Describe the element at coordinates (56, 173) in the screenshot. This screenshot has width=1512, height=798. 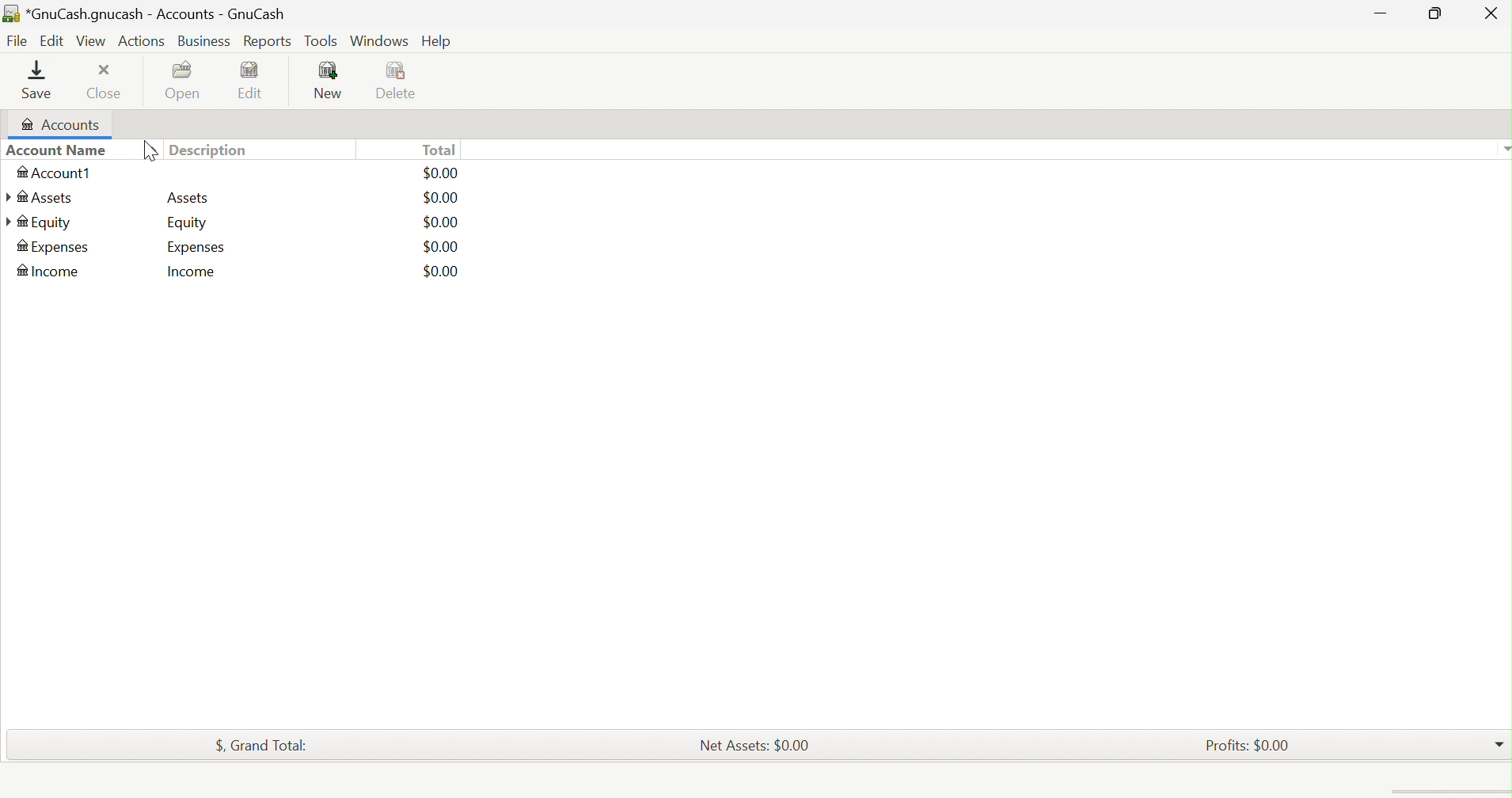
I see `Account1` at that location.